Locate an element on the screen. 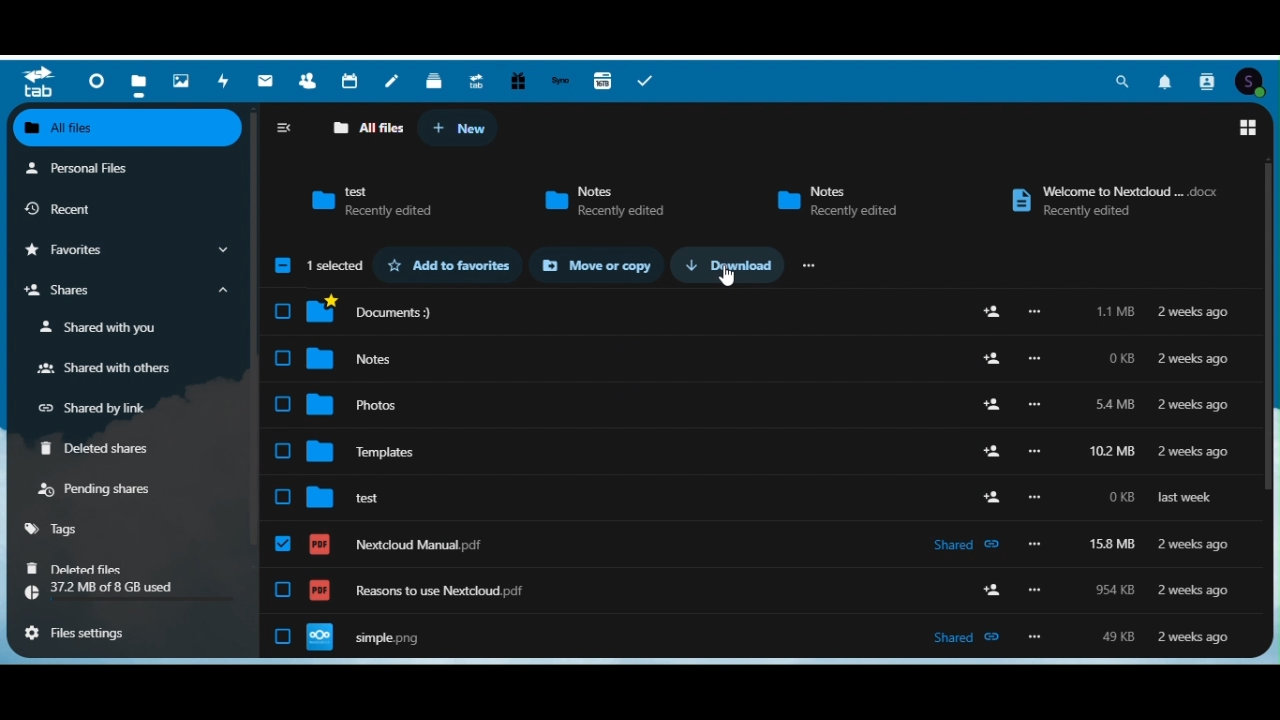 The image size is (1280, 720). Tags is located at coordinates (58, 531).